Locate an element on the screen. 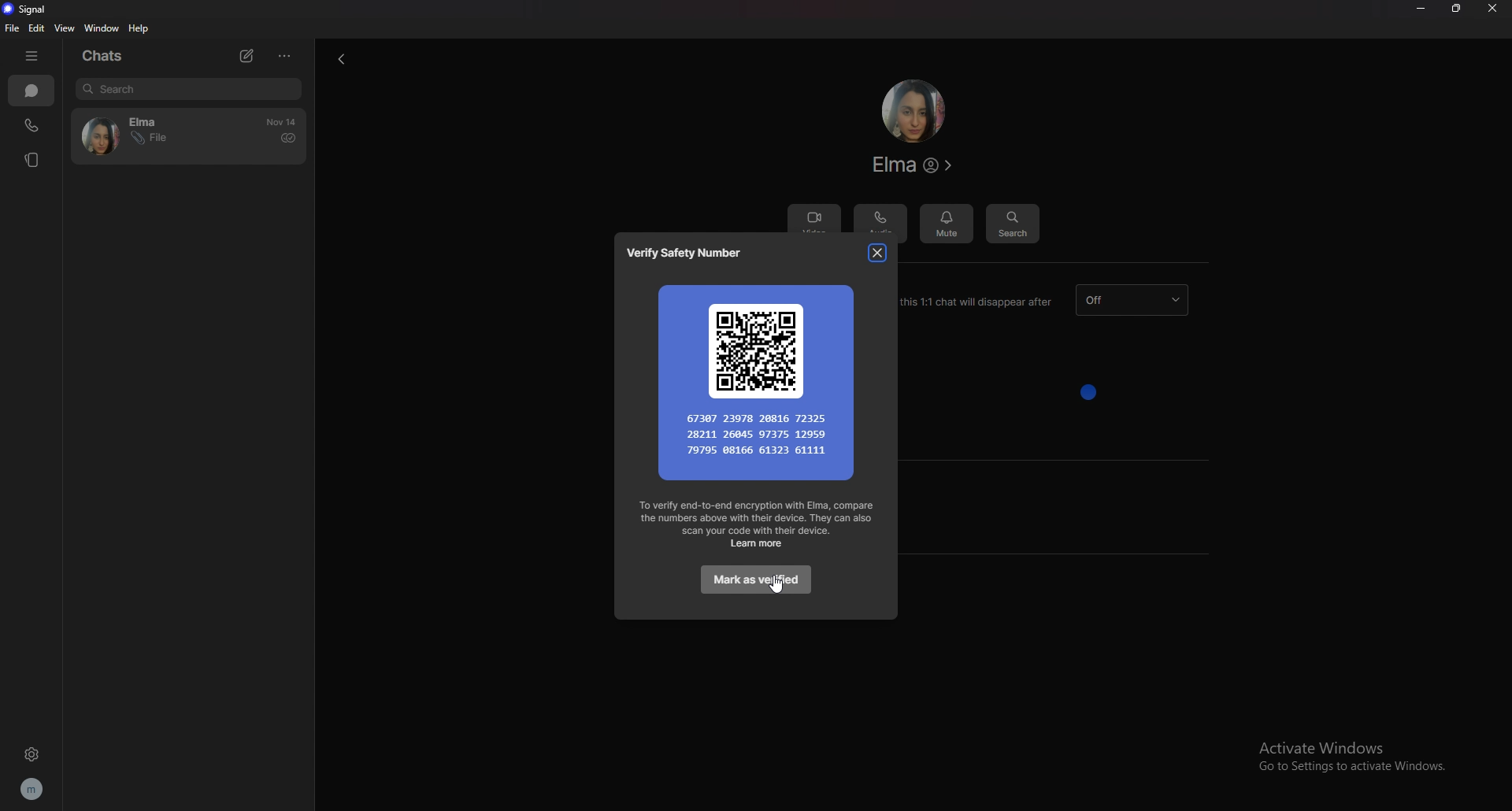 The height and width of the screenshot is (811, 1512). minimize is located at coordinates (1421, 8).